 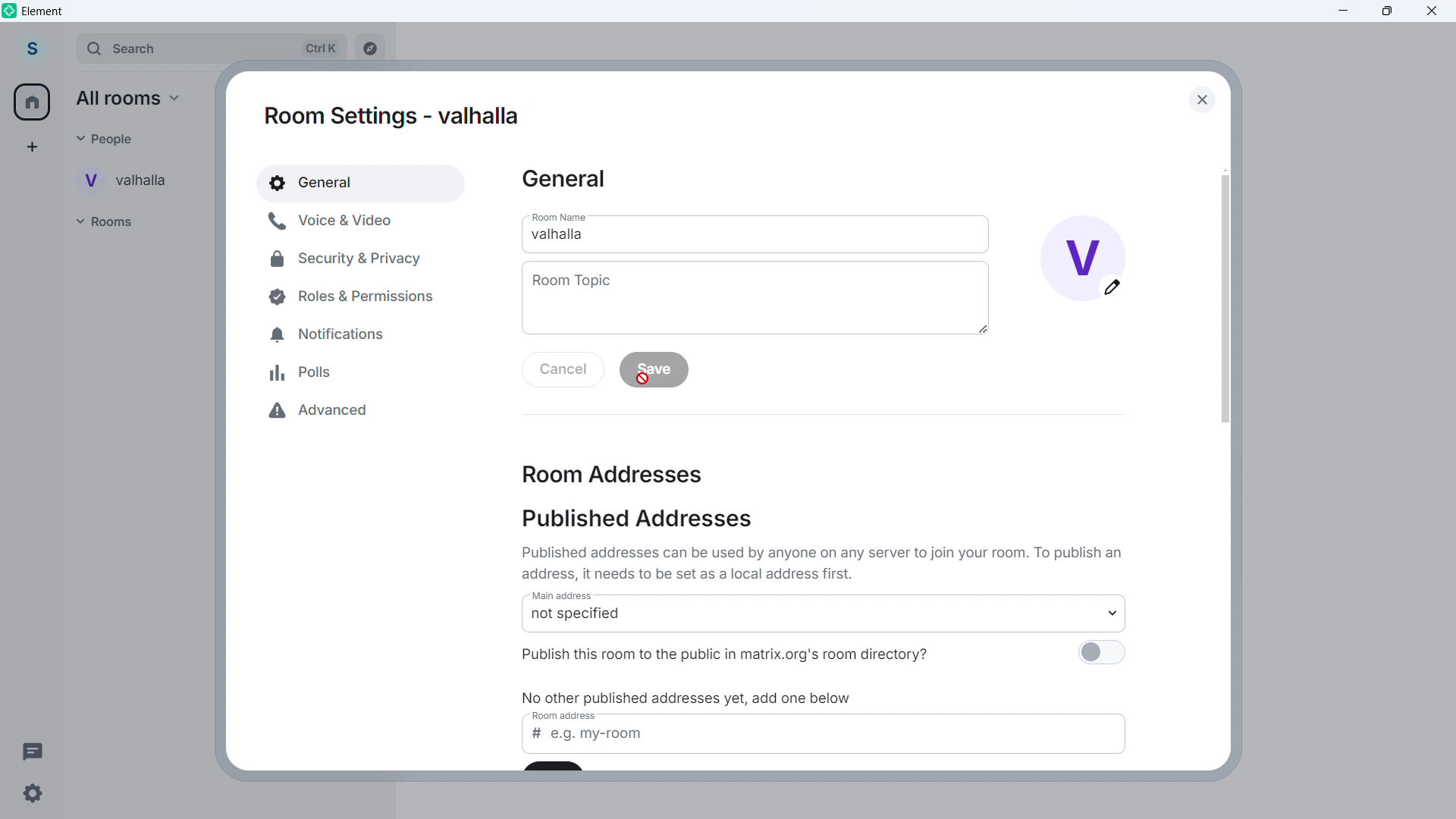 What do you see at coordinates (1344, 11) in the screenshot?
I see `minimize` at bounding box center [1344, 11].